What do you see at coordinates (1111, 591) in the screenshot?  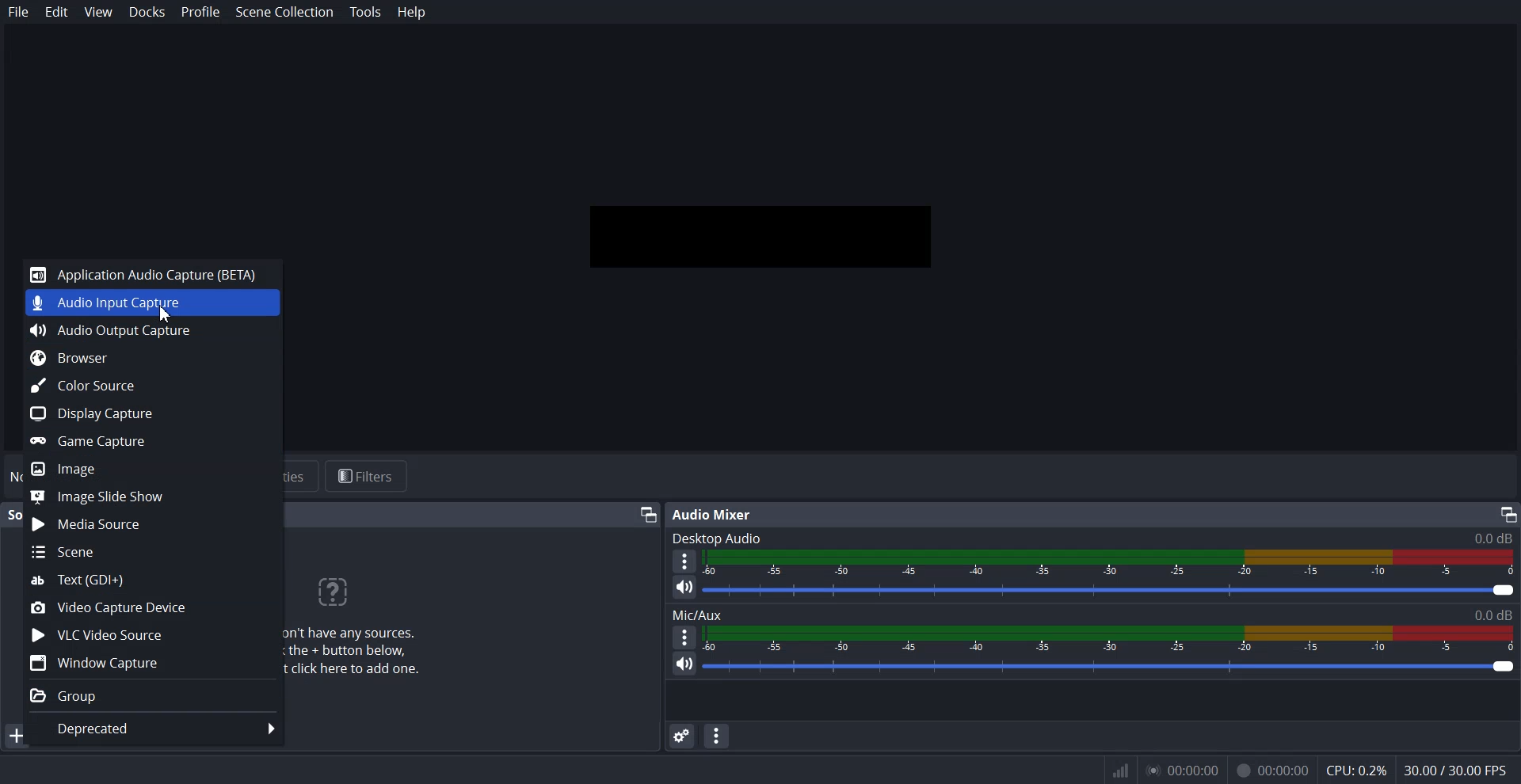 I see `Volume level adjuster` at bounding box center [1111, 591].